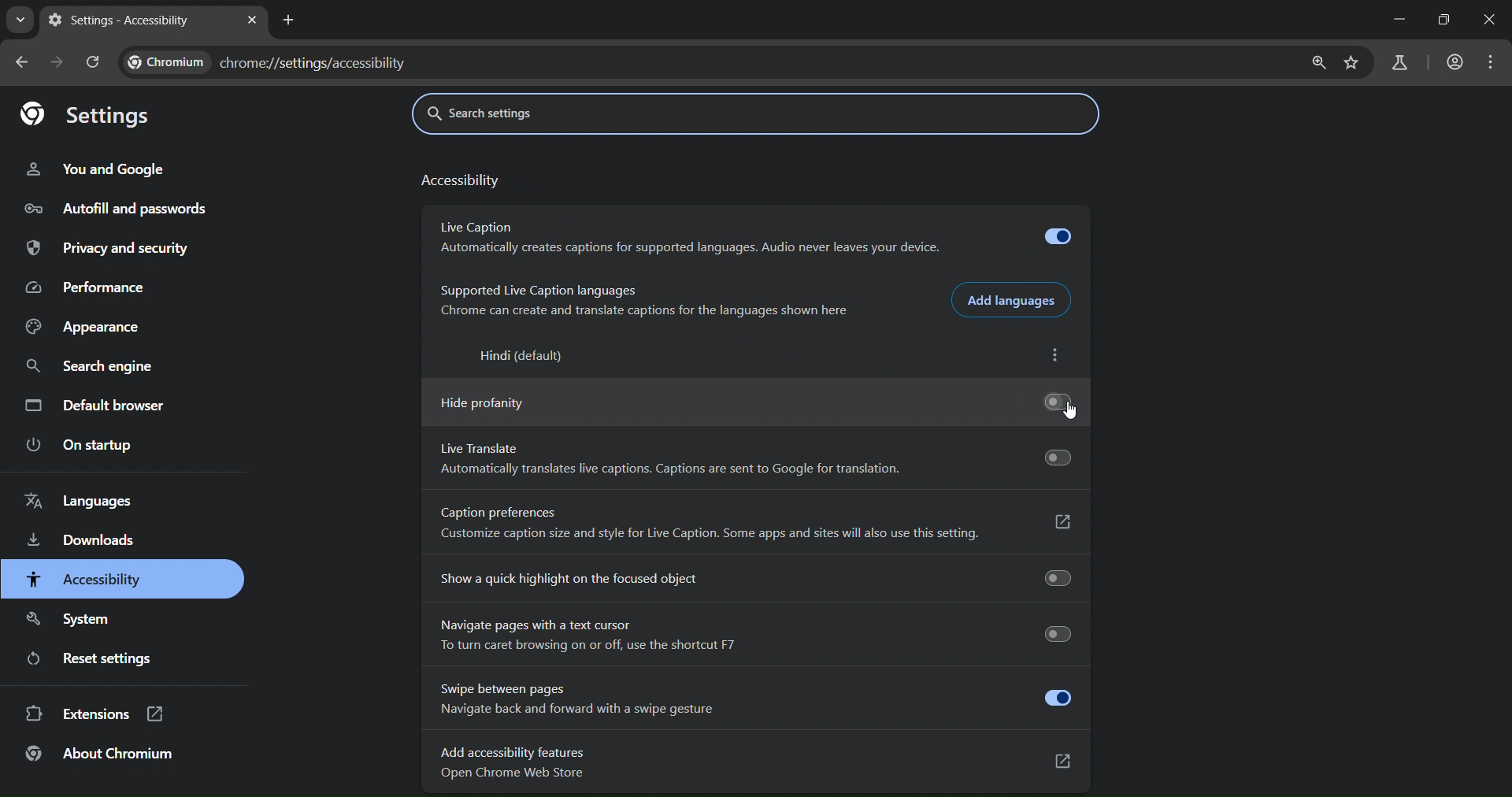 This screenshot has height=797, width=1512. What do you see at coordinates (1015, 299) in the screenshot?
I see `add languages` at bounding box center [1015, 299].